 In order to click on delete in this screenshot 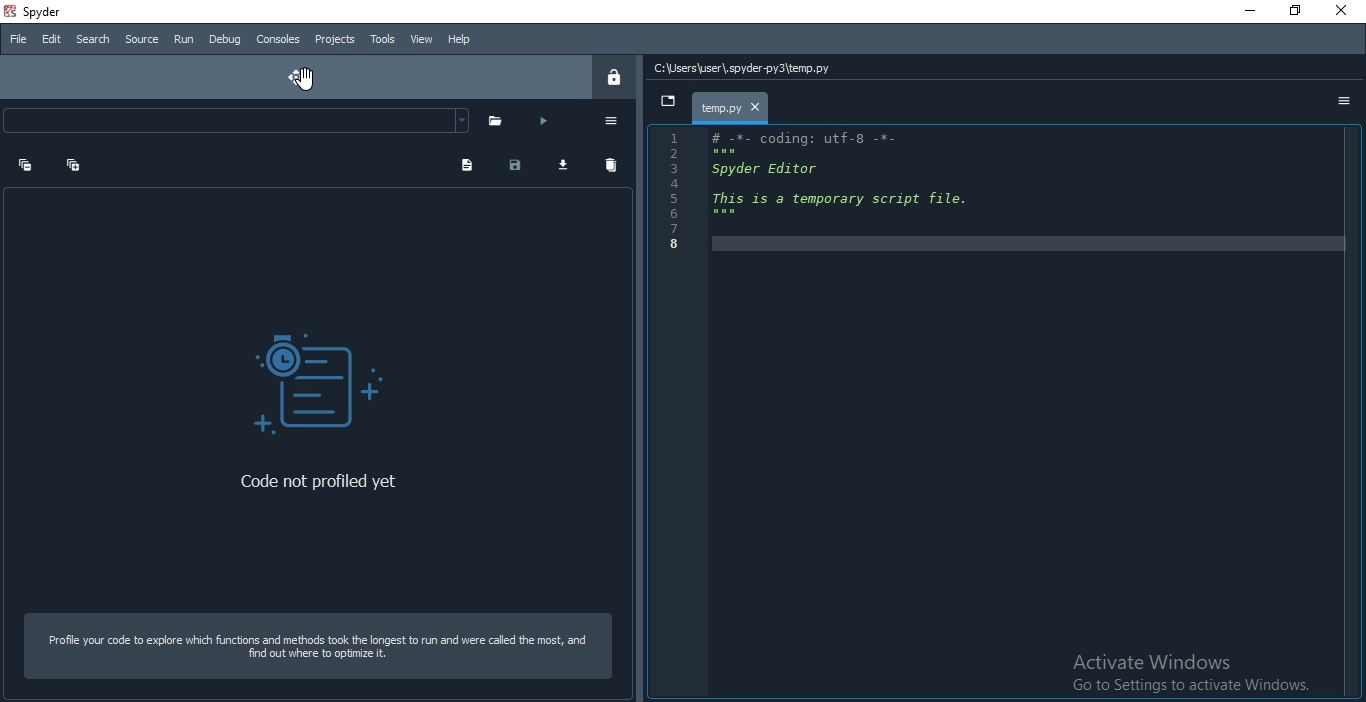, I will do `click(618, 164)`.